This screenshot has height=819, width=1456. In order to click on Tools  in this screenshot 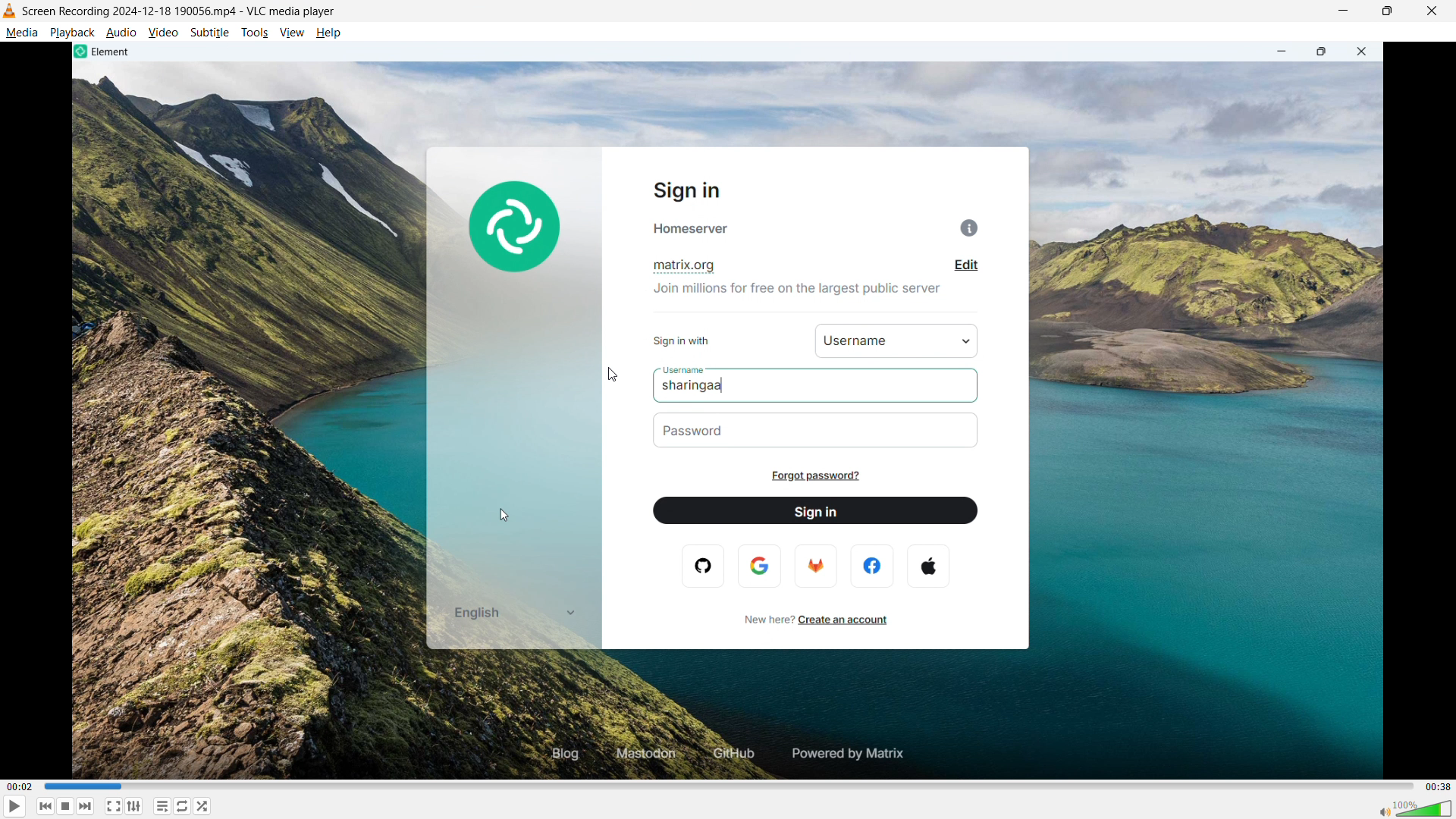, I will do `click(254, 33)`.